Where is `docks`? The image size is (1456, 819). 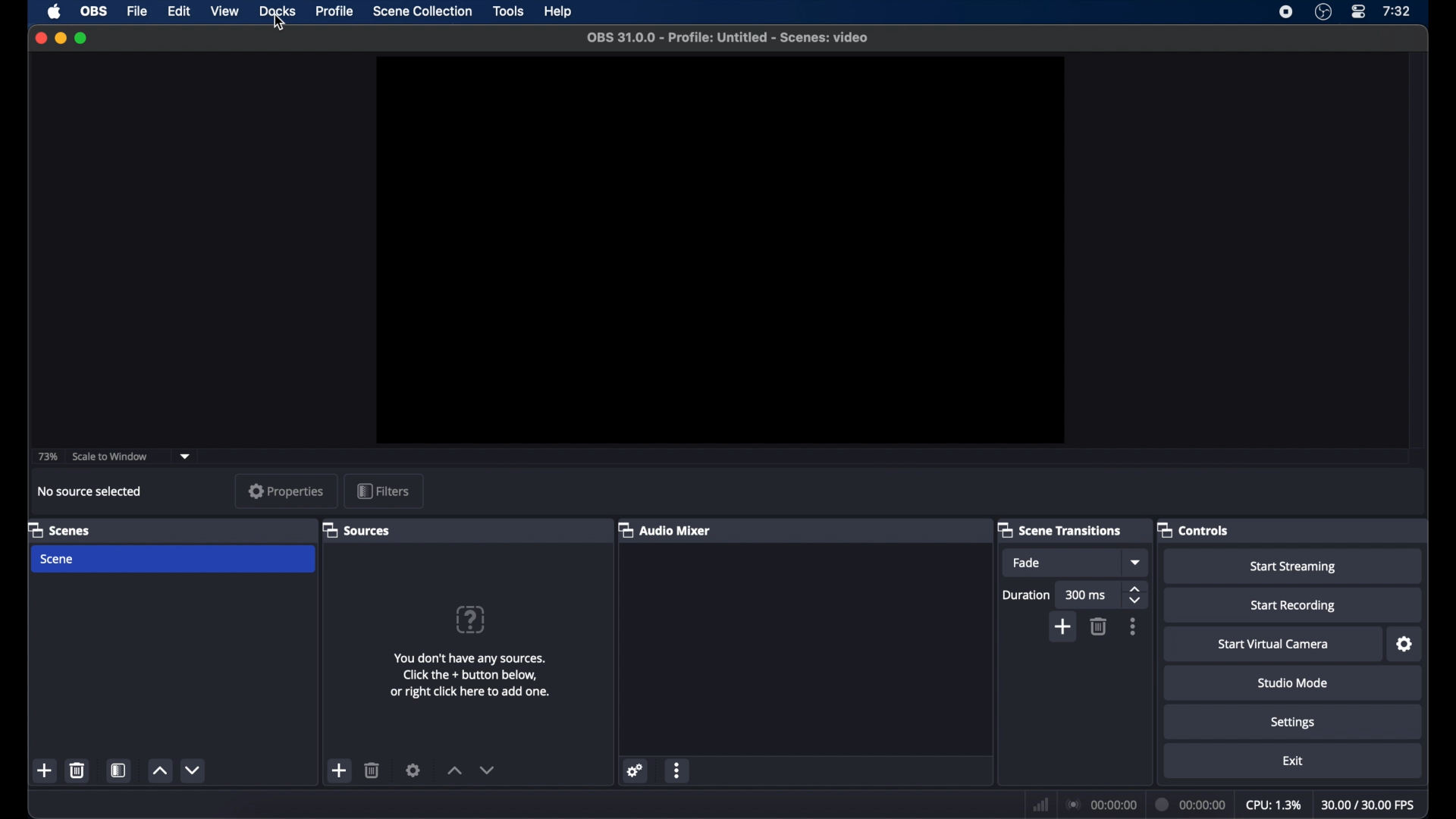 docks is located at coordinates (278, 11).